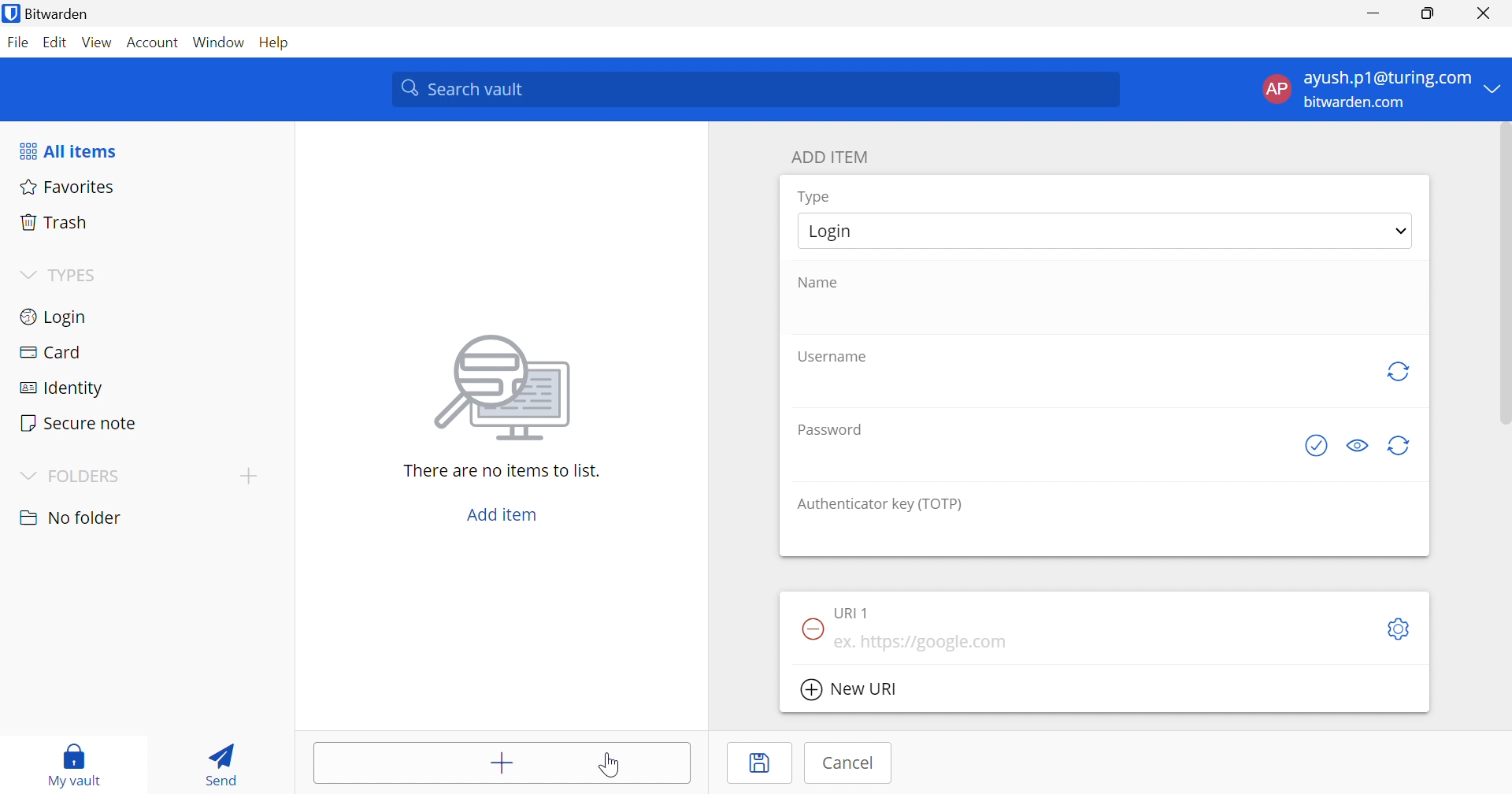  What do you see at coordinates (1402, 629) in the screenshot?
I see `Settings` at bounding box center [1402, 629].